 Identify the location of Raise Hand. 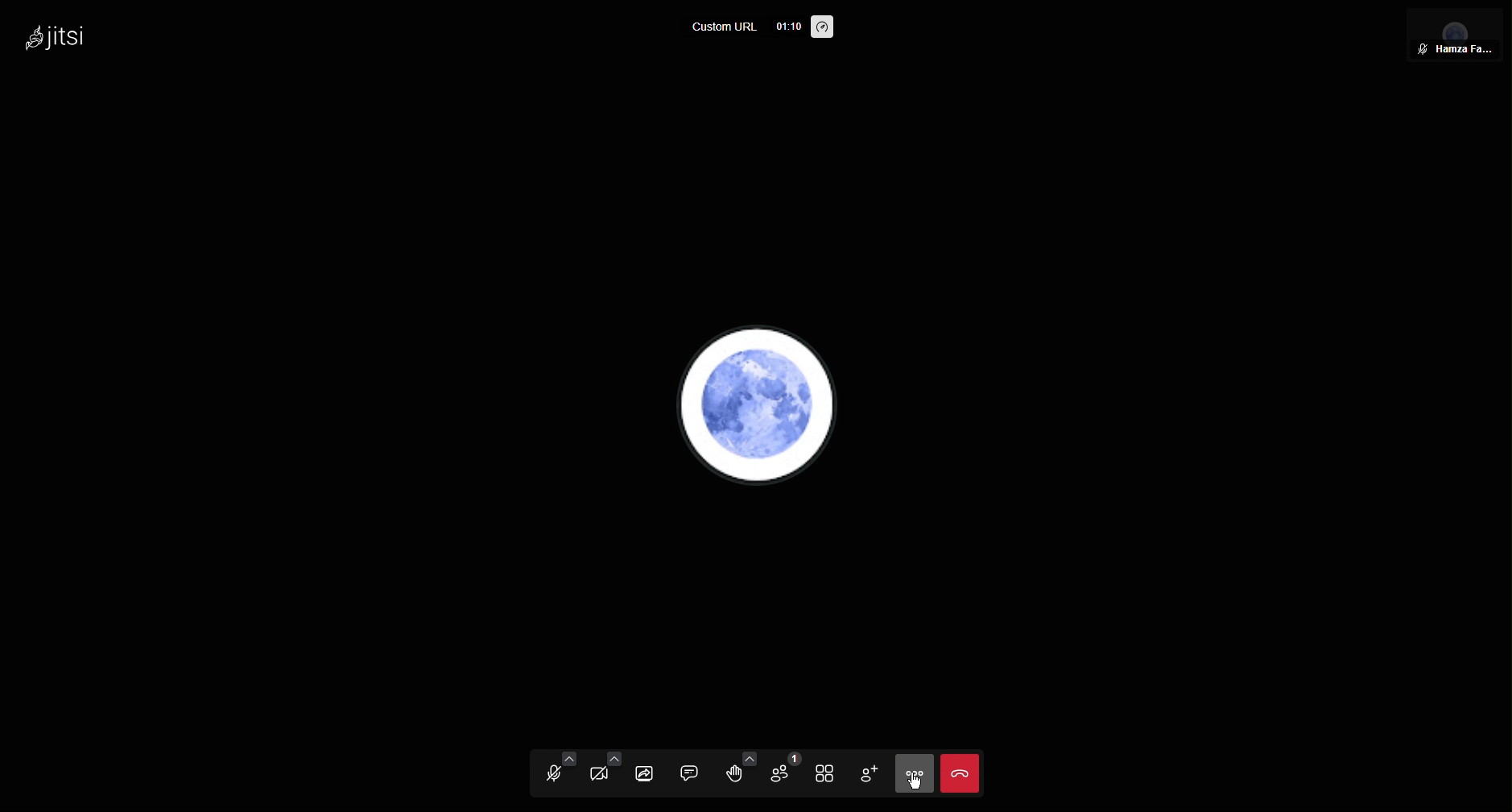
(742, 773).